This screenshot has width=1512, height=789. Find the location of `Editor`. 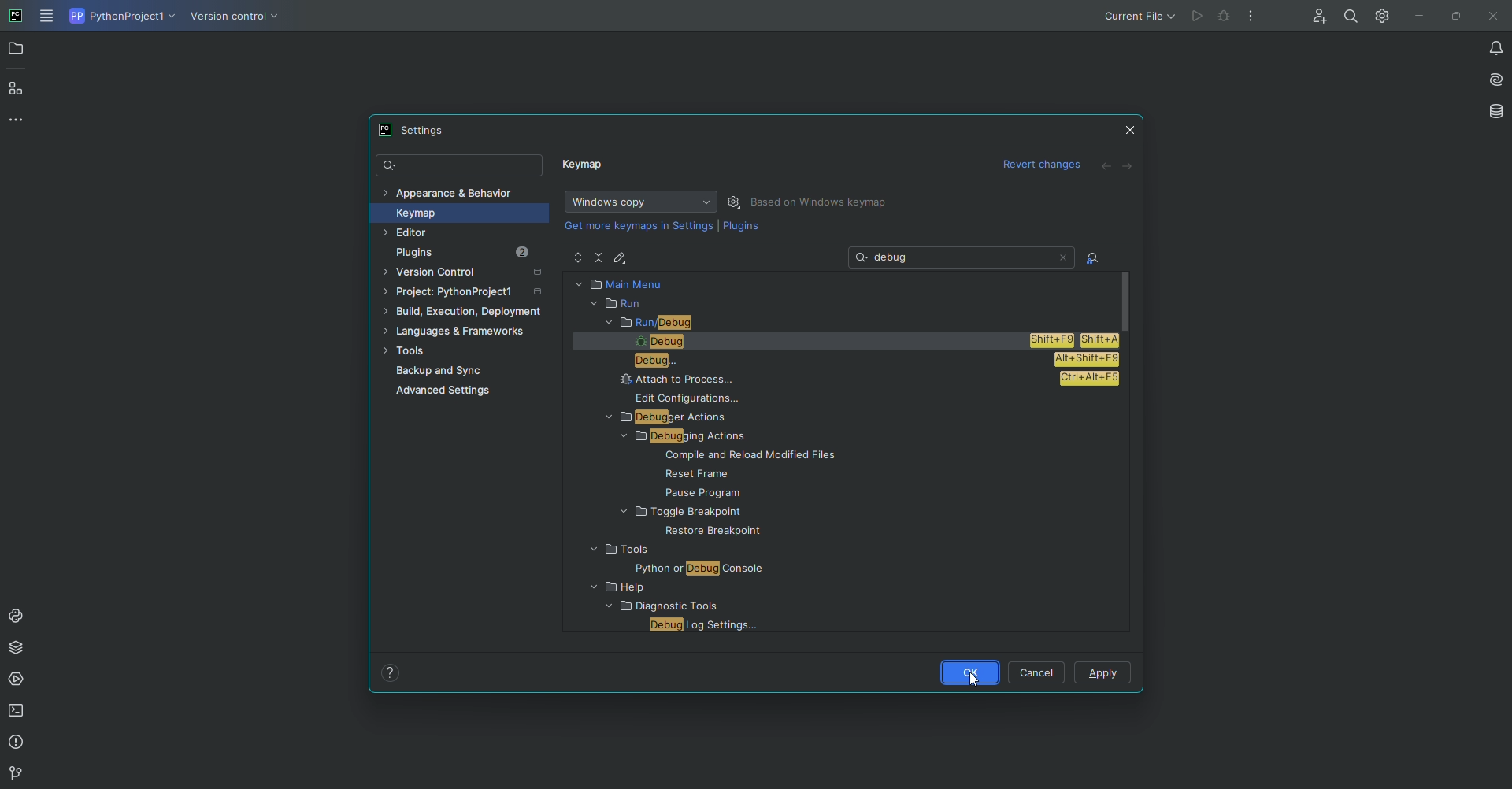

Editor is located at coordinates (439, 233).